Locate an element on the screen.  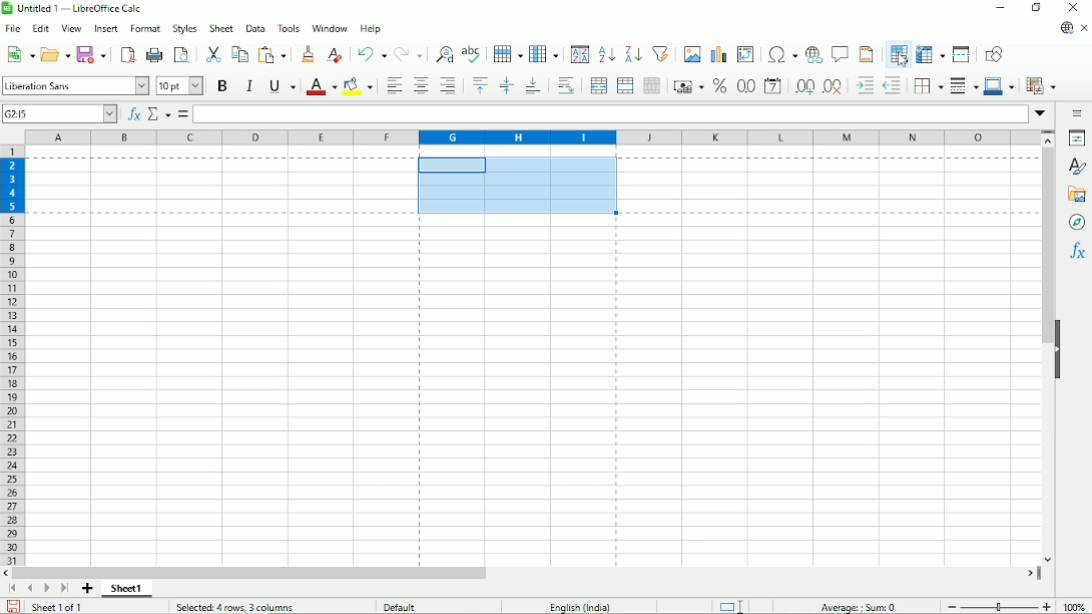
Cursor is located at coordinates (902, 60).